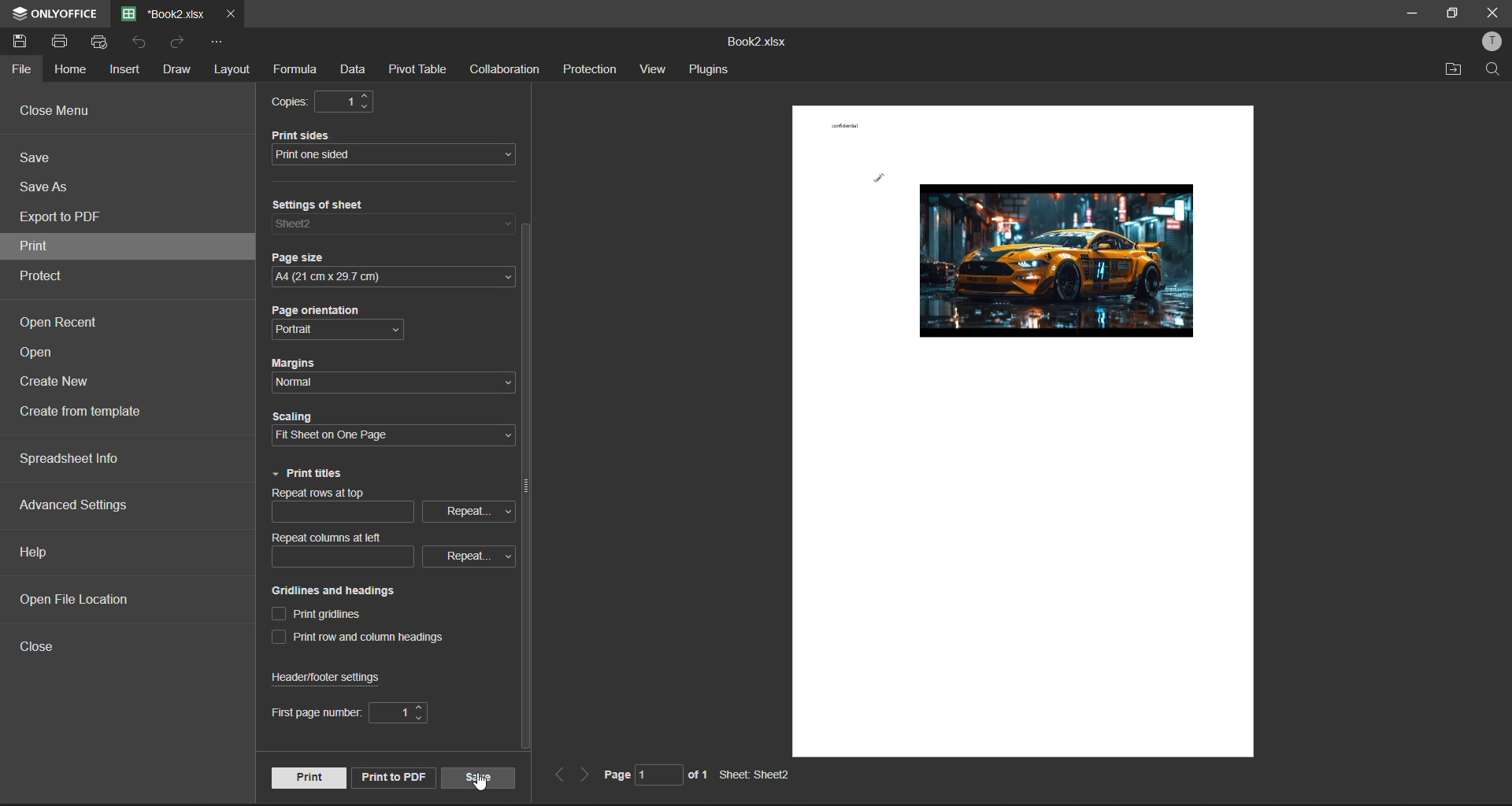 The height and width of the screenshot is (806, 1512). What do you see at coordinates (586, 776) in the screenshot?
I see `next` at bounding box center [586, 776].